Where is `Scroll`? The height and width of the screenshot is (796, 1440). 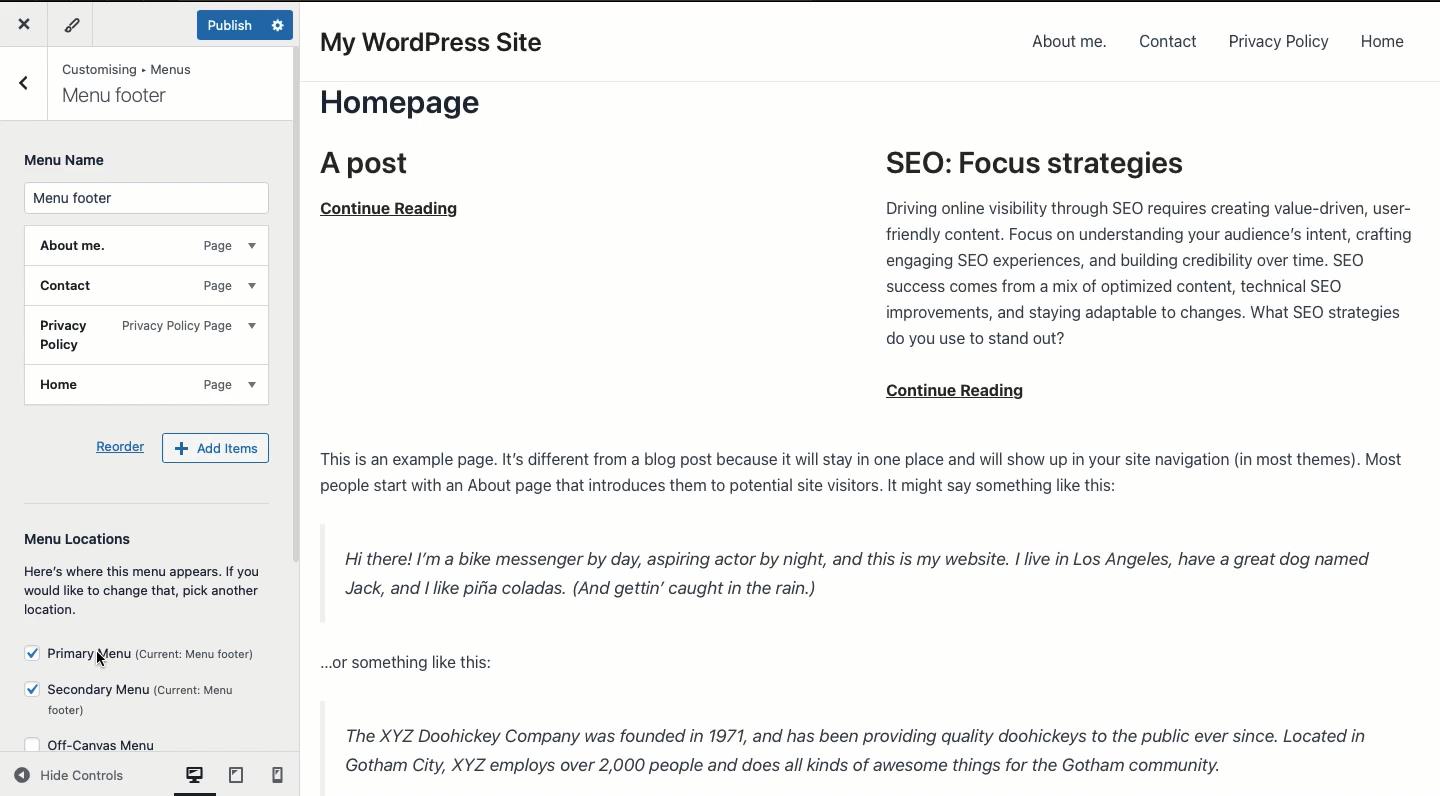 Scroll is located at coordinates (301, 400).